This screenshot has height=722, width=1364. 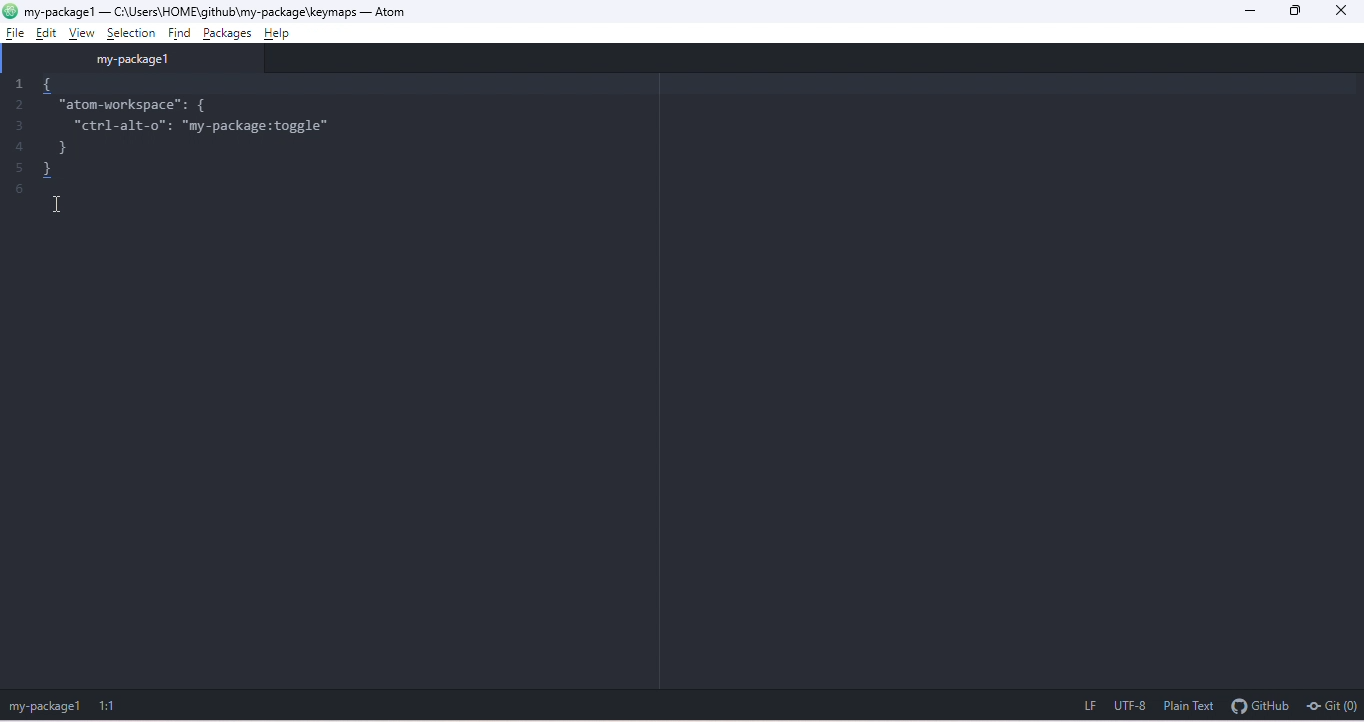 What do you see at coordinates (1336, 707) in the screenshot?
I see `git(0)` at bounding box center [1336, 707].